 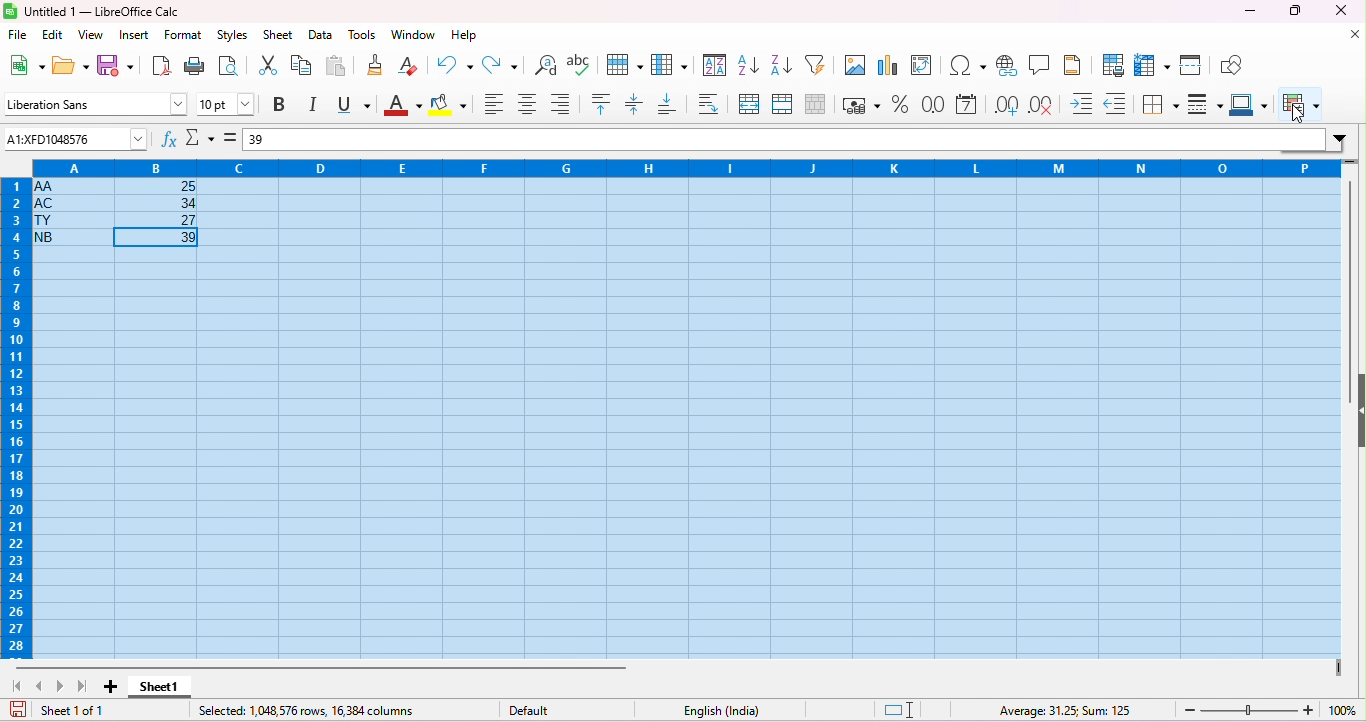 I want to click on format as date, so click(x=968, y=105).